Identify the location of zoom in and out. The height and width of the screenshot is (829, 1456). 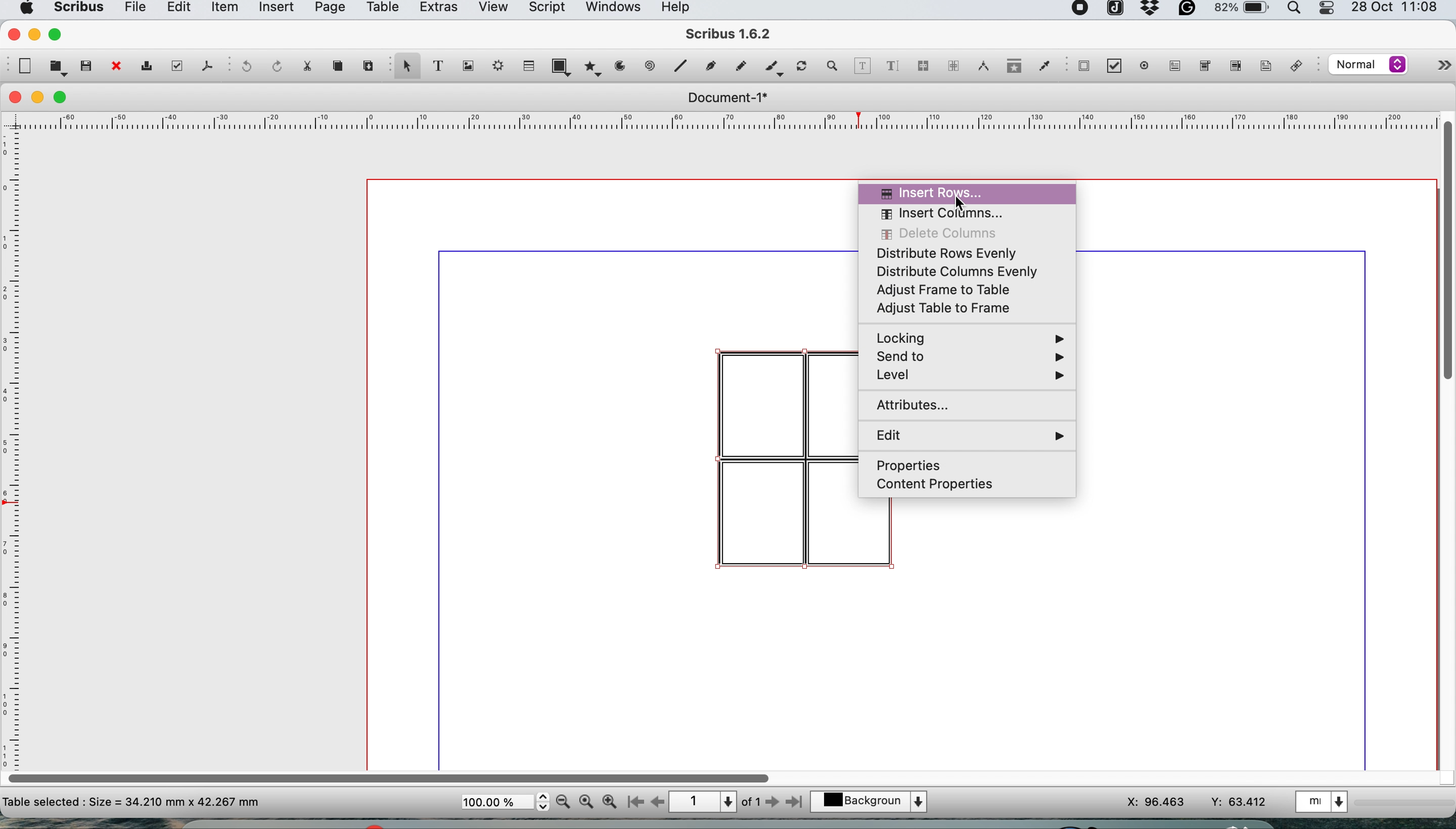
(833, 66).